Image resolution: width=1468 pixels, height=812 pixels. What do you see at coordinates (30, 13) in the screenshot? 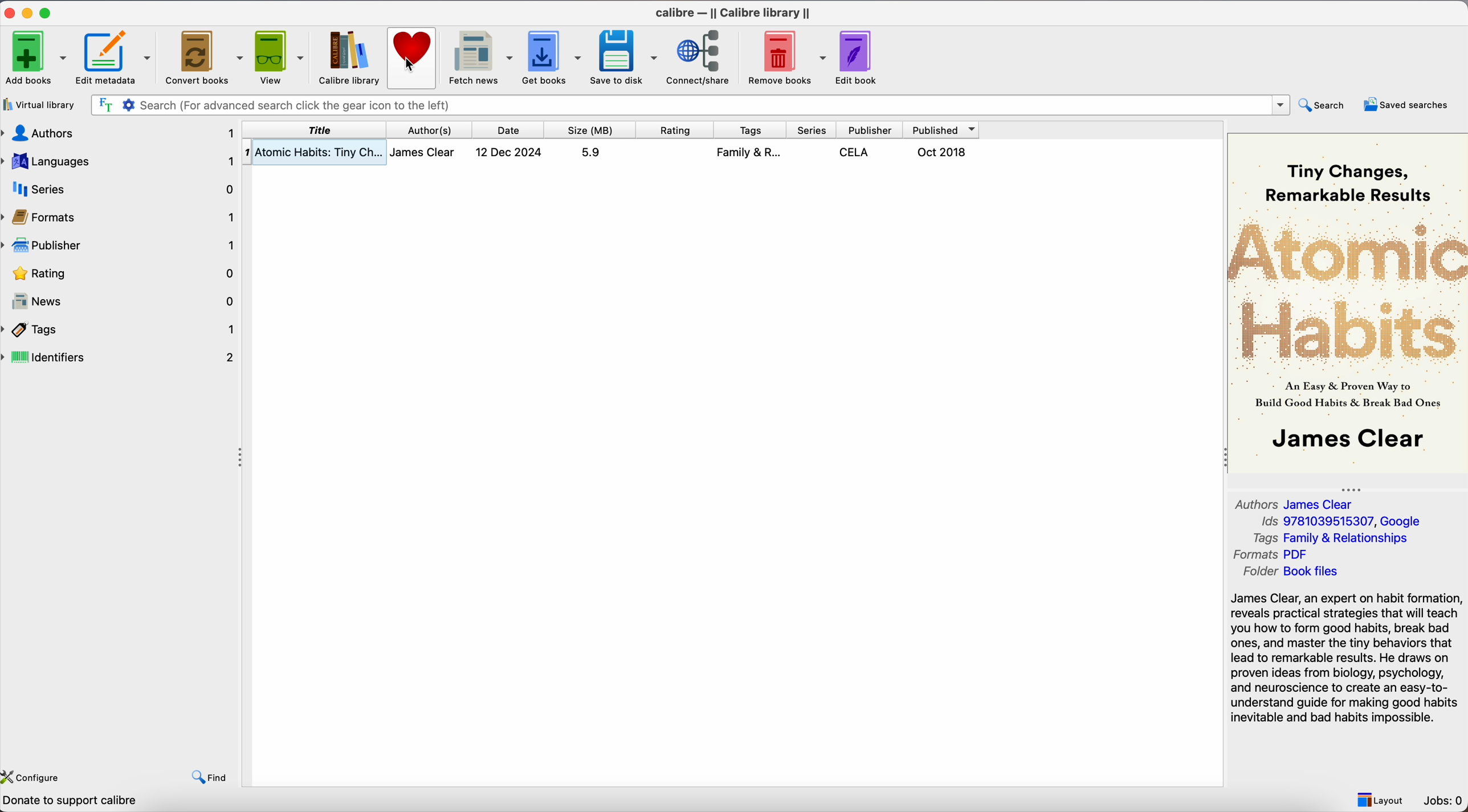
I see `minimize` at bounding box center [30, 13].